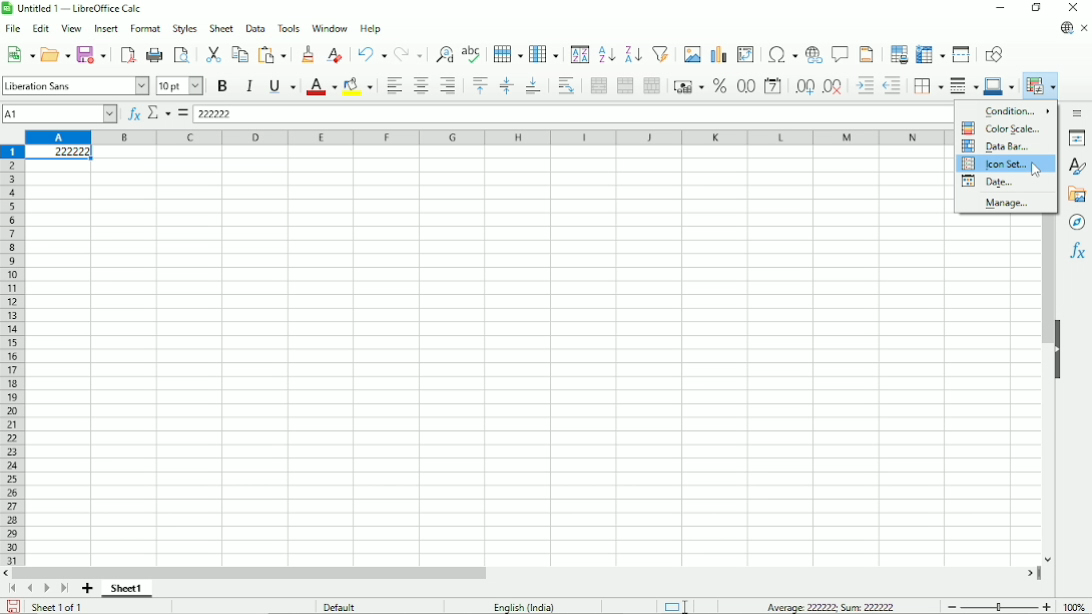 This screenshot has width=1092, height=614. I want to click on Format, so click(145, 29).